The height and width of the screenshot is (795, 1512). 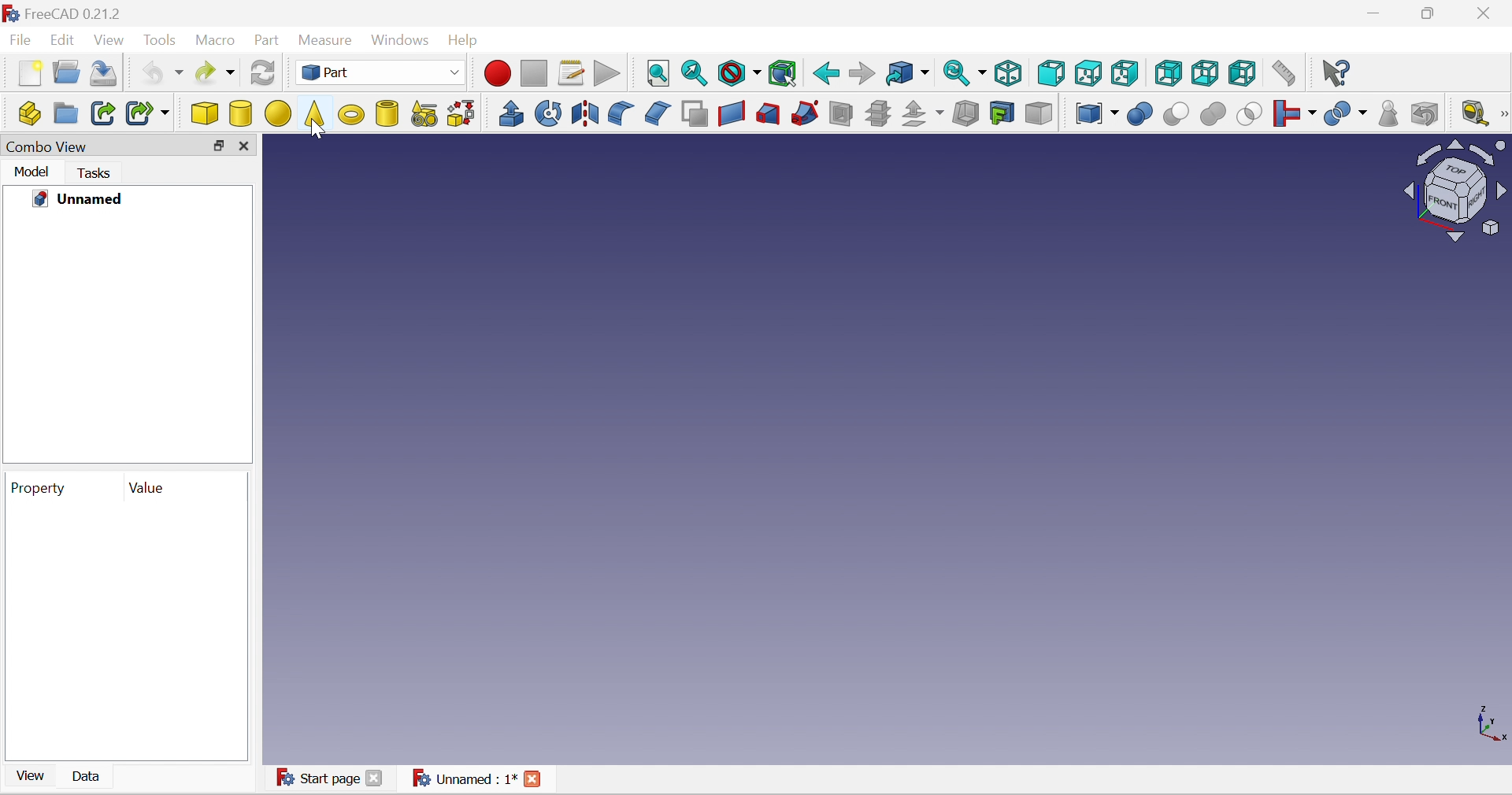 What do you see at coordinates (1039, 115) in the screenshot?
I see `Color per face` at bounding box center [1039, 115].